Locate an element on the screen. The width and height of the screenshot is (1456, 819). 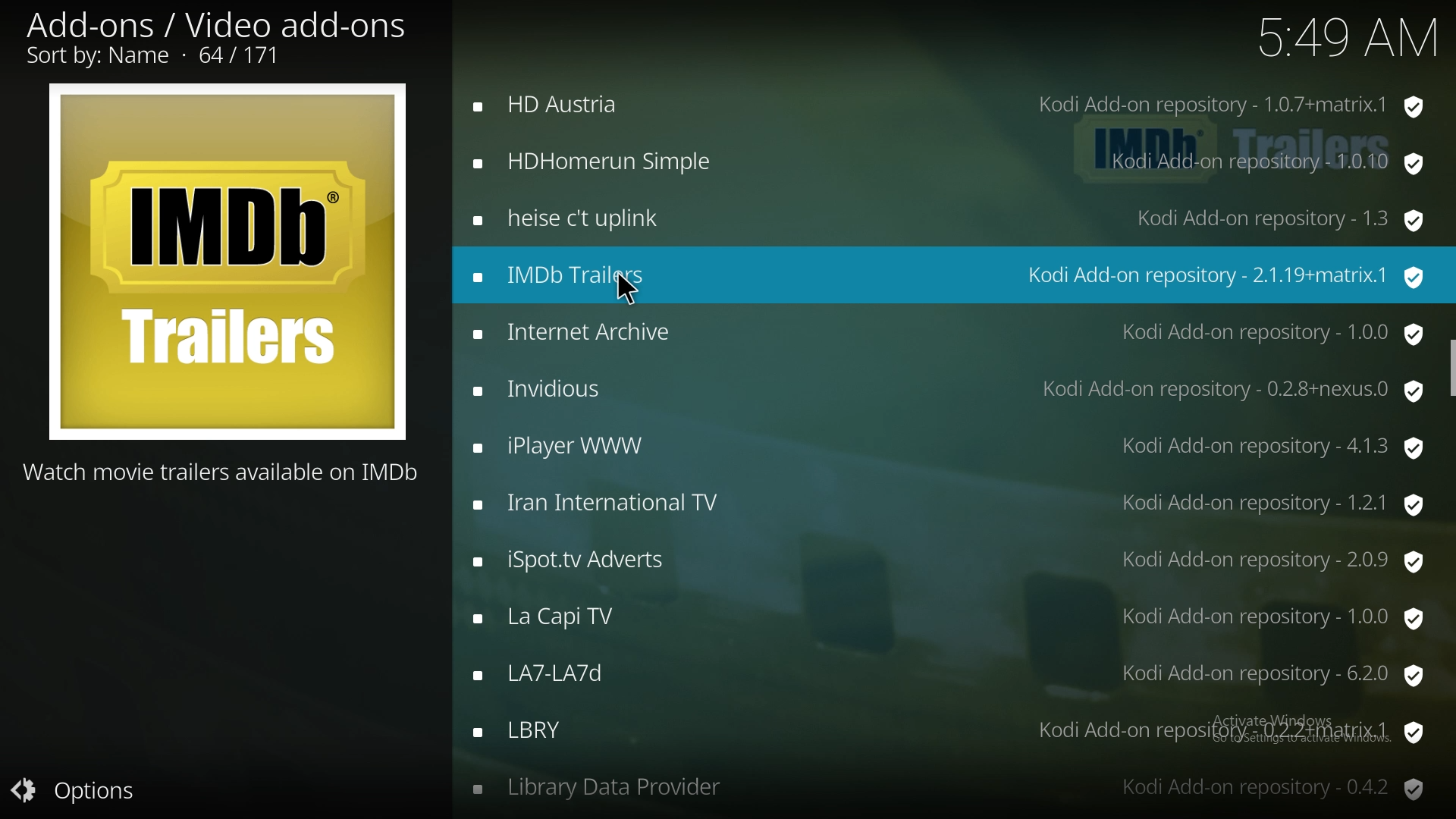
add on is located at coordinates (949, 447).